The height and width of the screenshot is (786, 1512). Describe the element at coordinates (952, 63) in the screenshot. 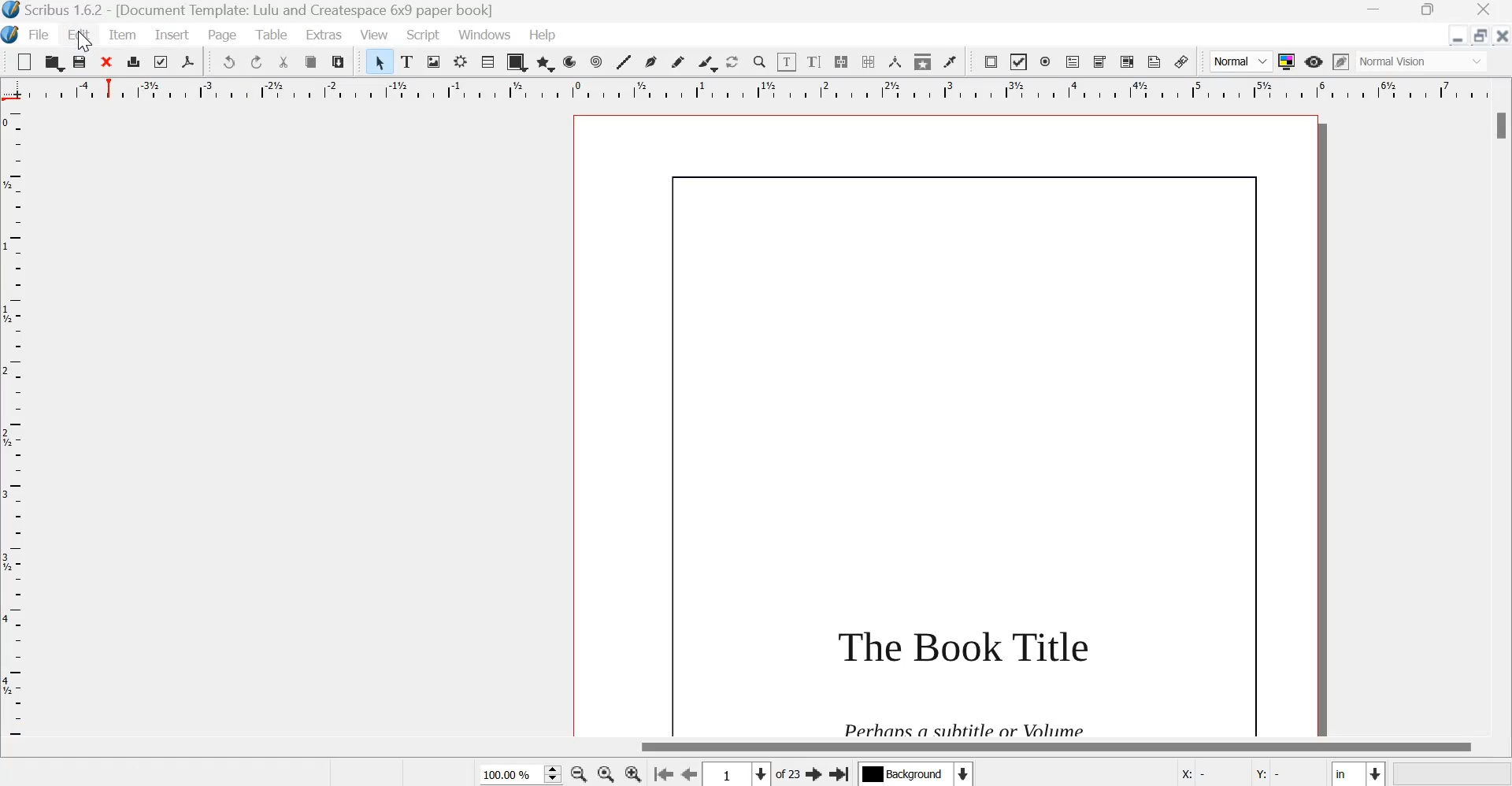

I see `Eye dropper` at that location.